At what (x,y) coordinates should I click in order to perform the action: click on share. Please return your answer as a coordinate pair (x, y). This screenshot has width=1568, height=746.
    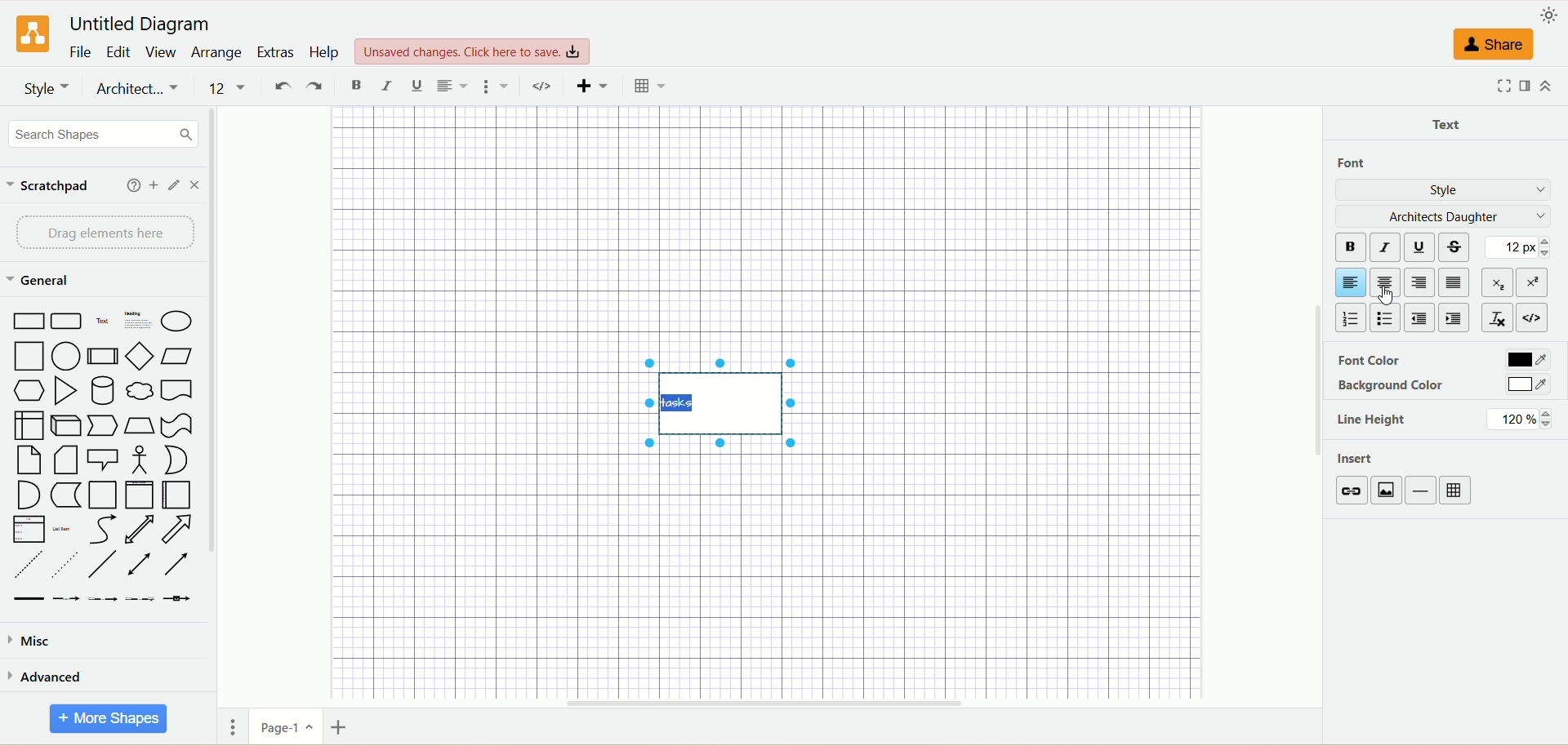
    Looking at the image, I should click on (1493, 45).